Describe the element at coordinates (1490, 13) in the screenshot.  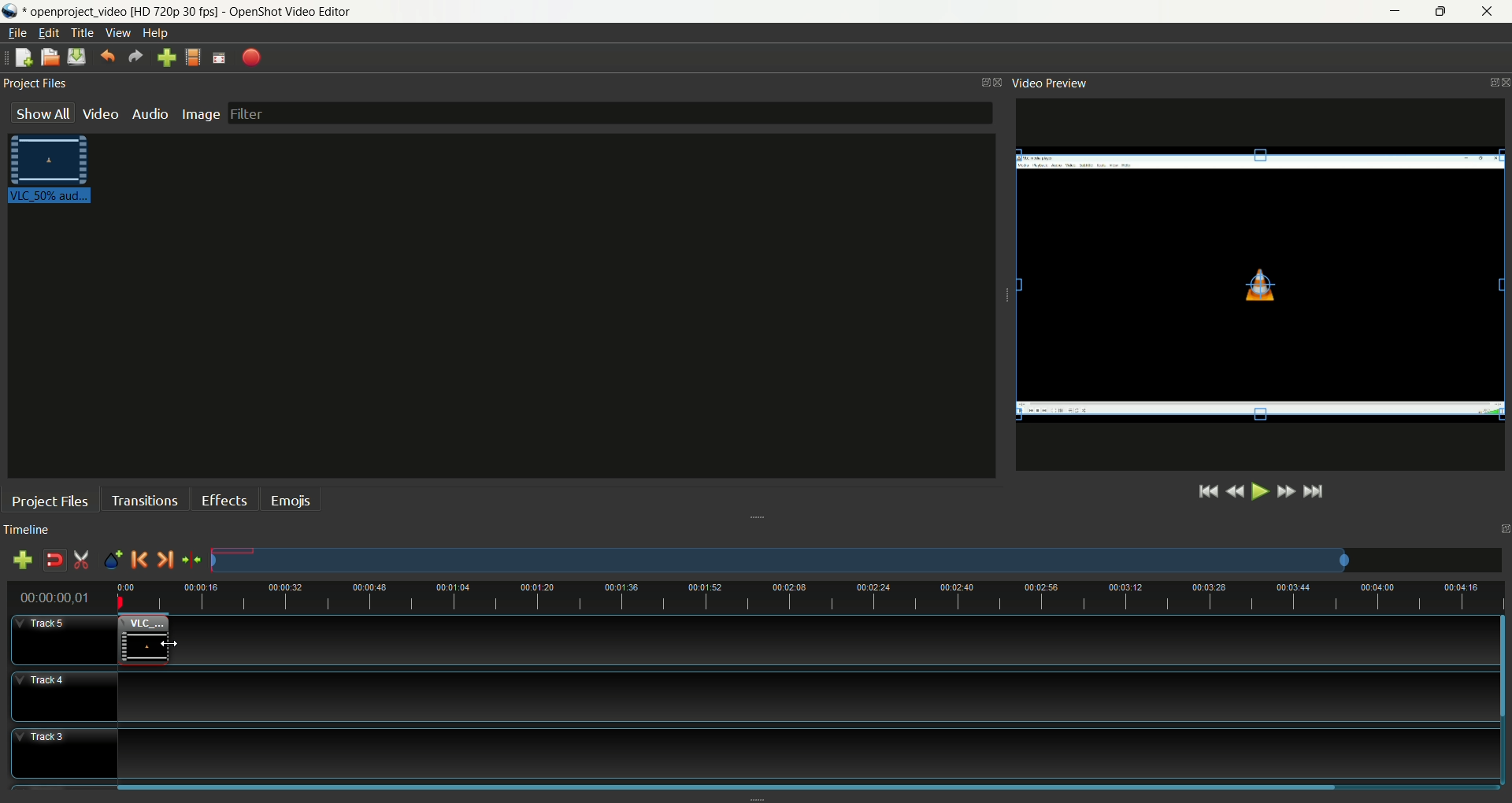
I see `close` at that location.